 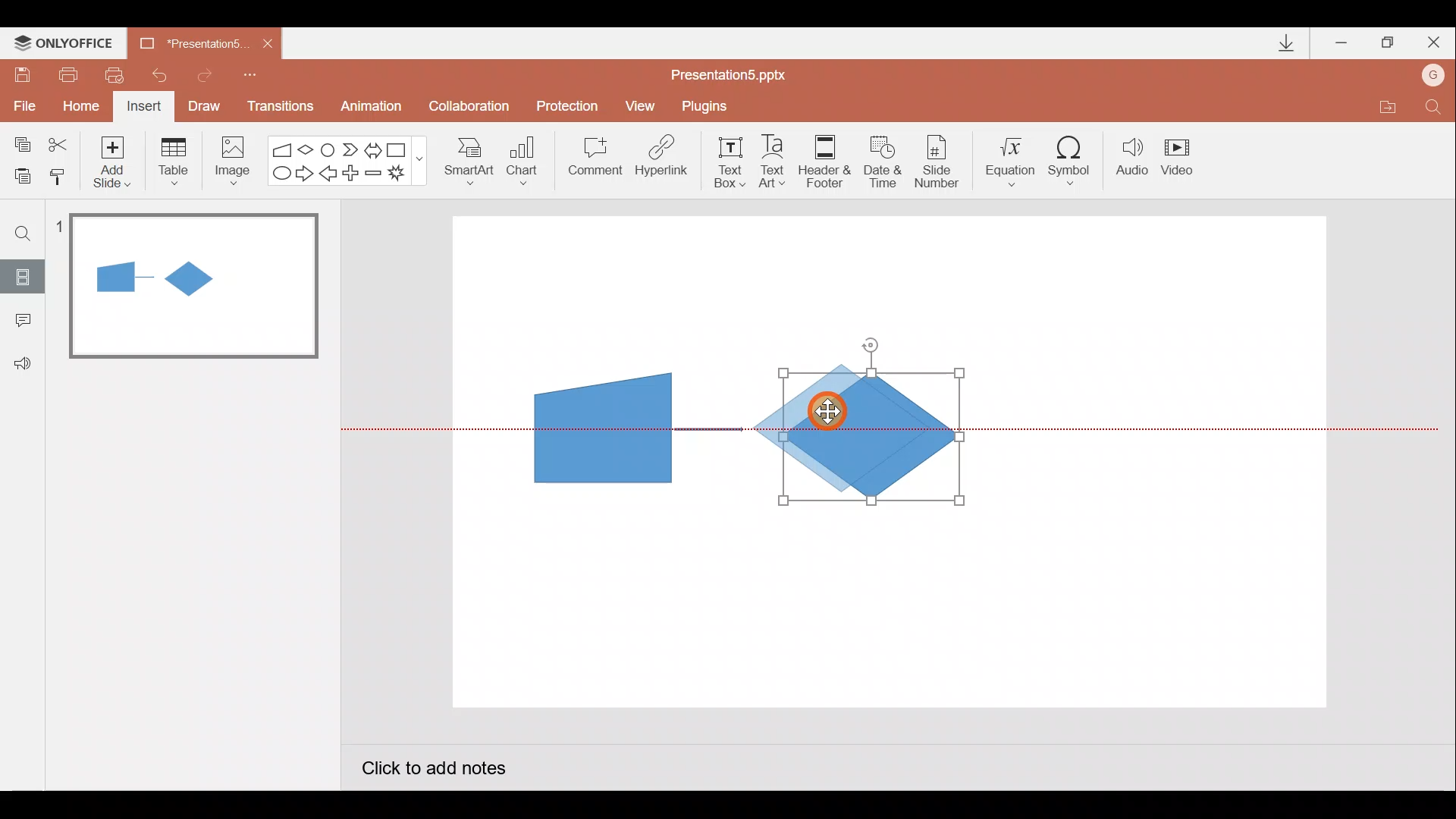 What do you see at coordinates (375, 176) in the screenshot?
I see `Minus` at bounding box center [375, 176].